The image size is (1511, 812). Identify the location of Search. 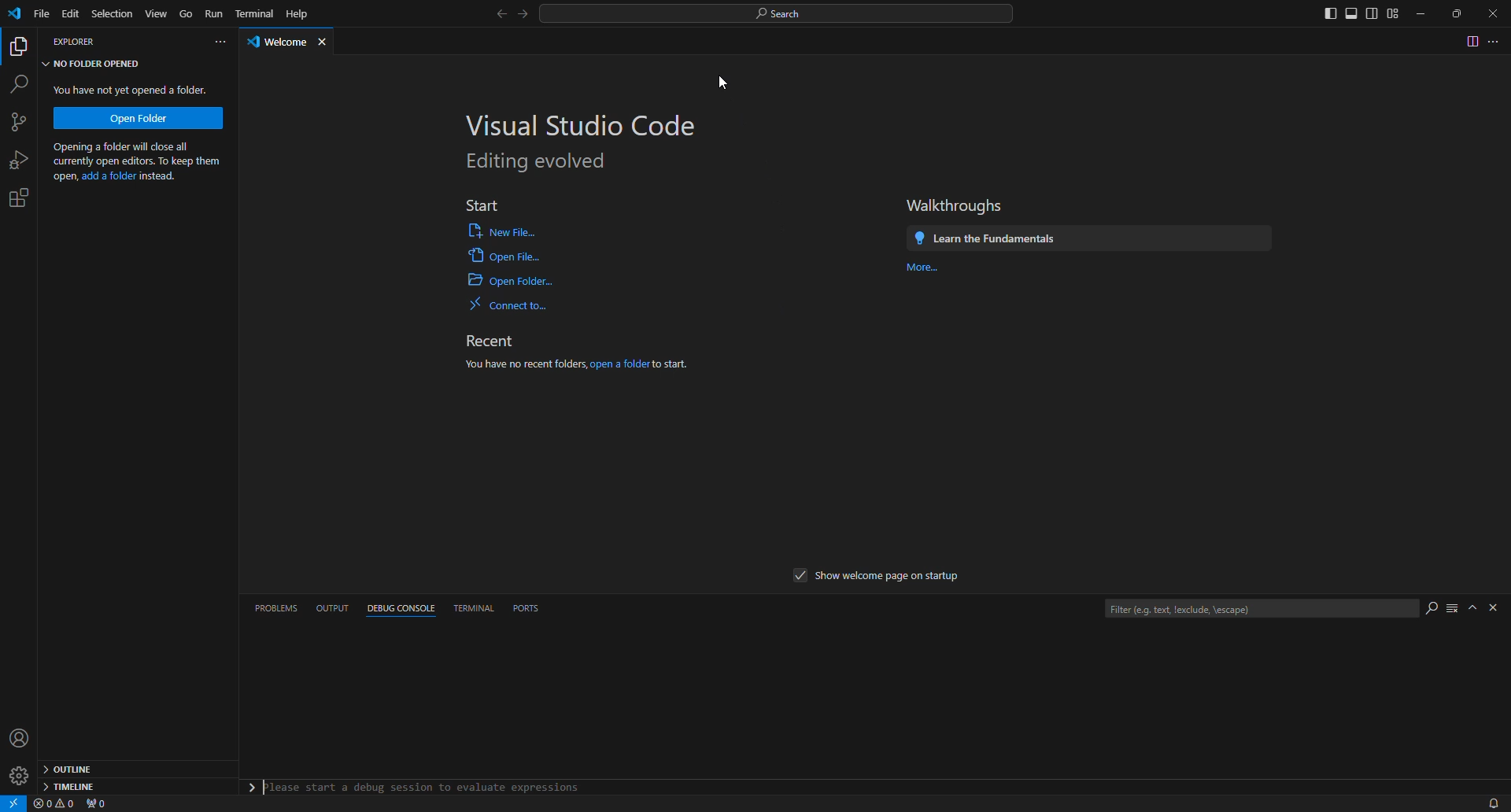
(781, 11).